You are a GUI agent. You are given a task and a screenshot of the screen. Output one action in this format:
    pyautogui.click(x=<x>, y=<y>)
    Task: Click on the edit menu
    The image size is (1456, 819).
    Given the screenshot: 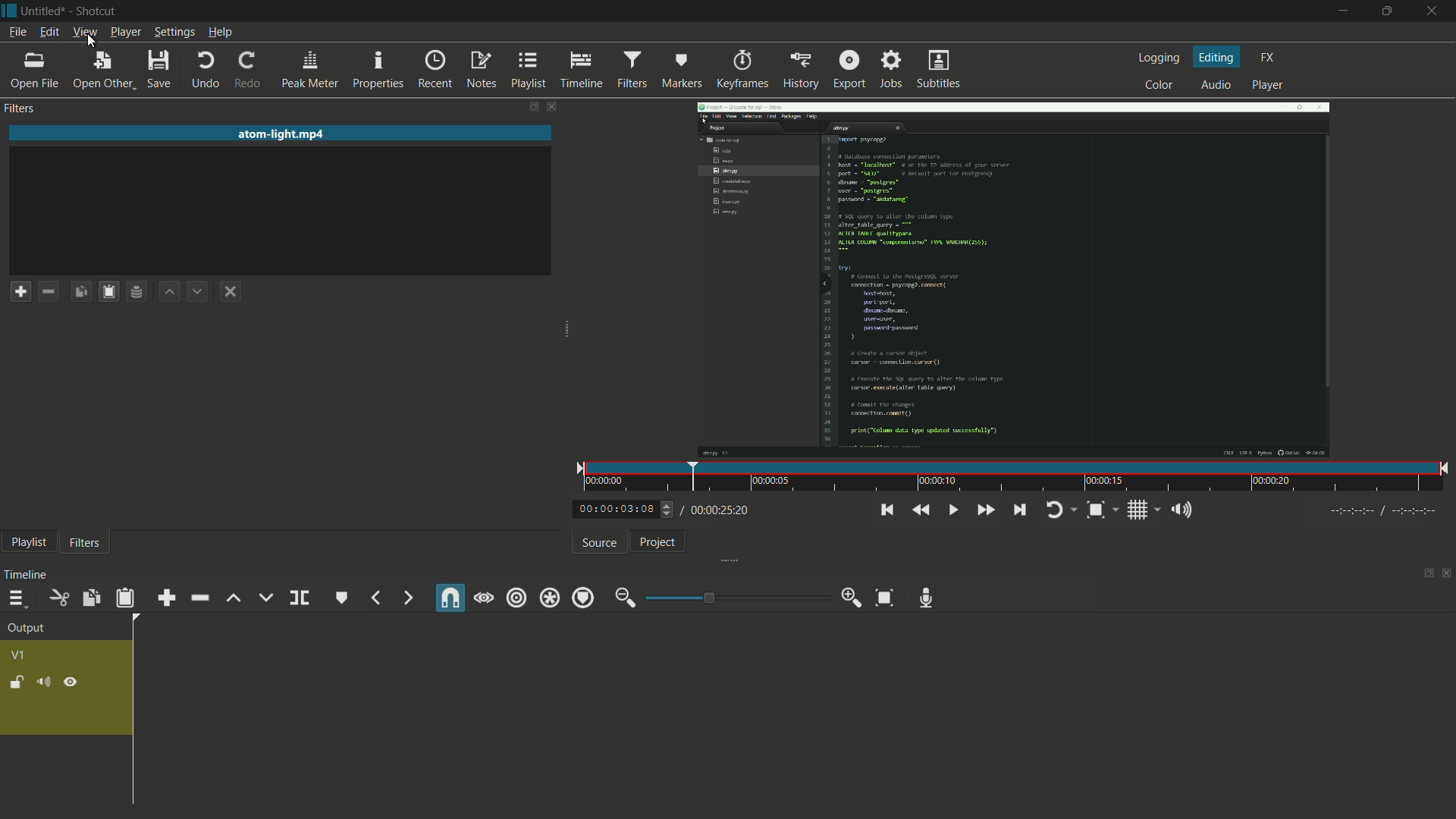 What is the action you would take?
    pyautogui.click(x=48, y=32)
    